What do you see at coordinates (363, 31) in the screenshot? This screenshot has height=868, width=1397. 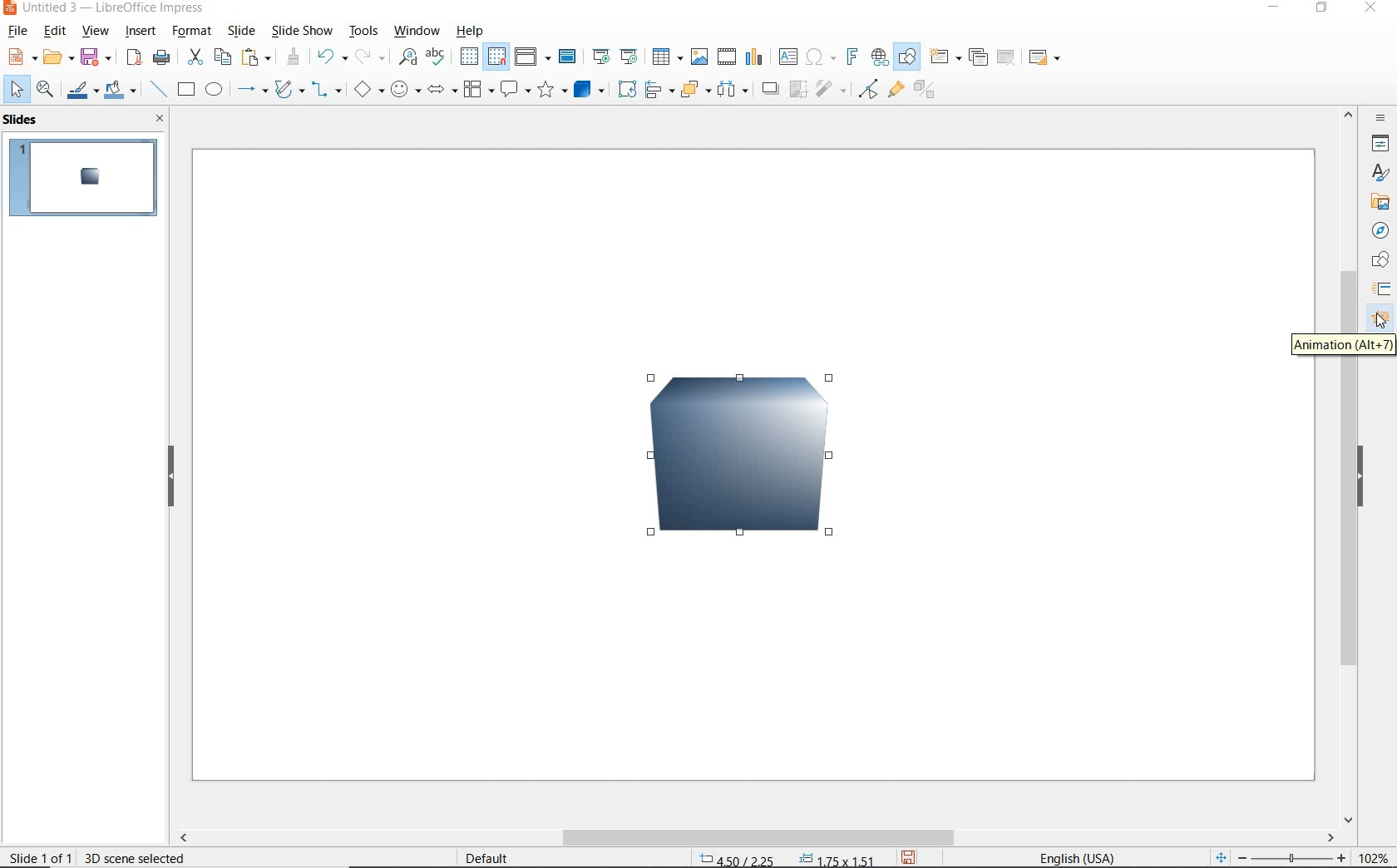 I see `tools` at bounding box center [363, 31].